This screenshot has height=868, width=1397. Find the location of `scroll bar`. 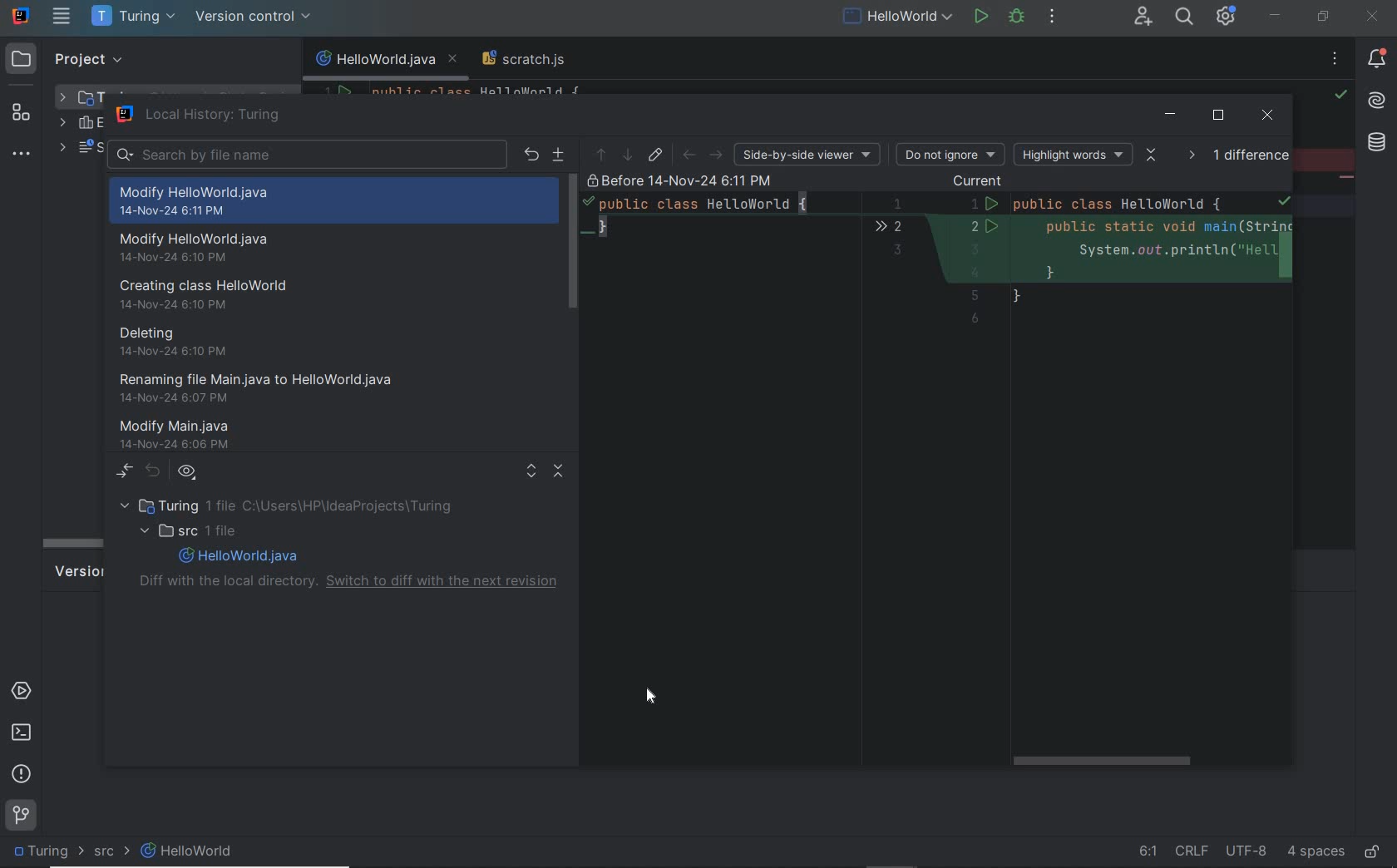

scroll bar is located at coordinates (73, 543).